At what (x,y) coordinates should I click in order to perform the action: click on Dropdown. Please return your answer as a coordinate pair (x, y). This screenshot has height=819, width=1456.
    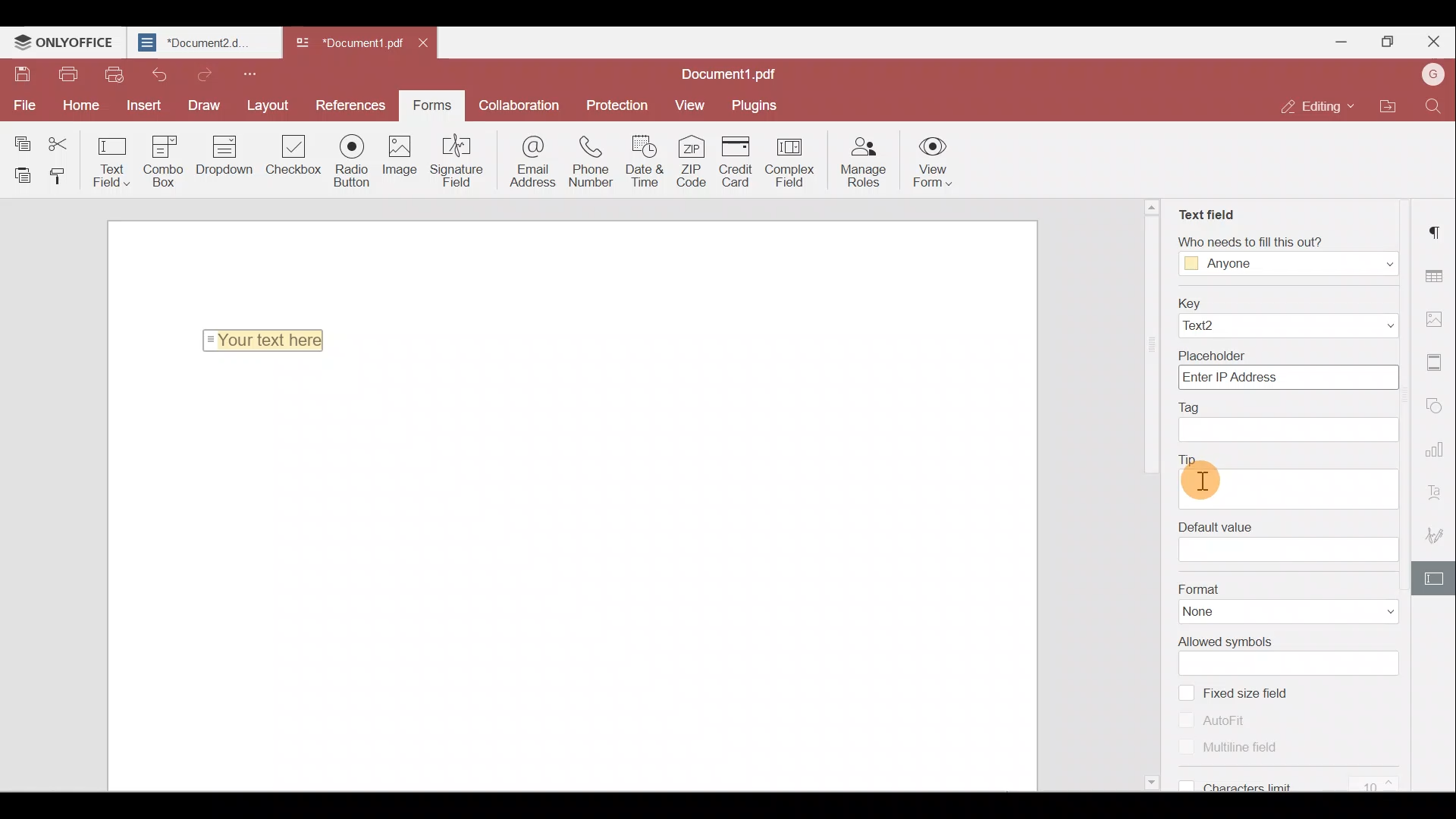
    Looking at the image, I should click on (1373, 262).